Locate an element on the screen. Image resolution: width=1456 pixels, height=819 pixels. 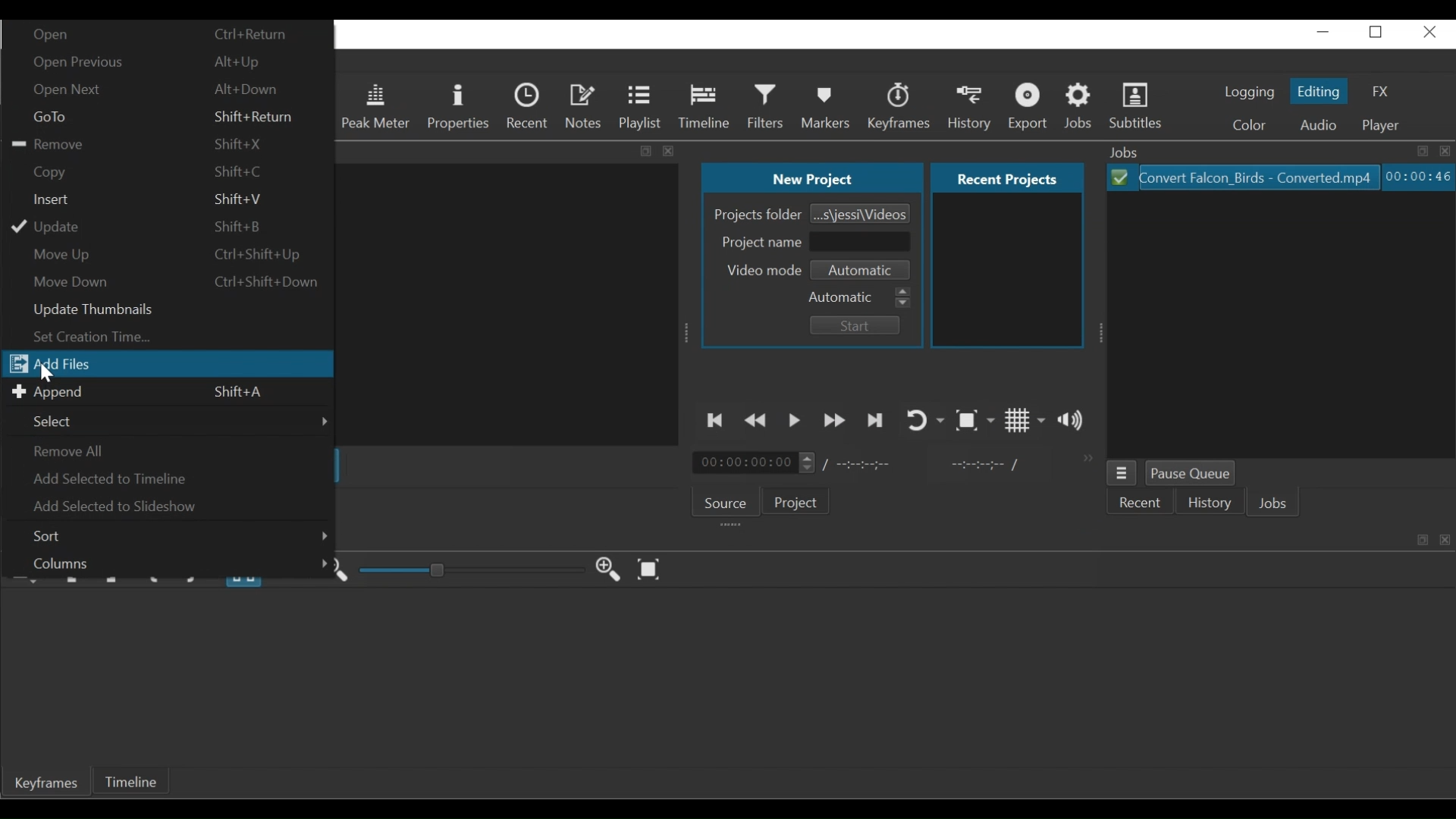
close is located at coordinates (1432, 33).